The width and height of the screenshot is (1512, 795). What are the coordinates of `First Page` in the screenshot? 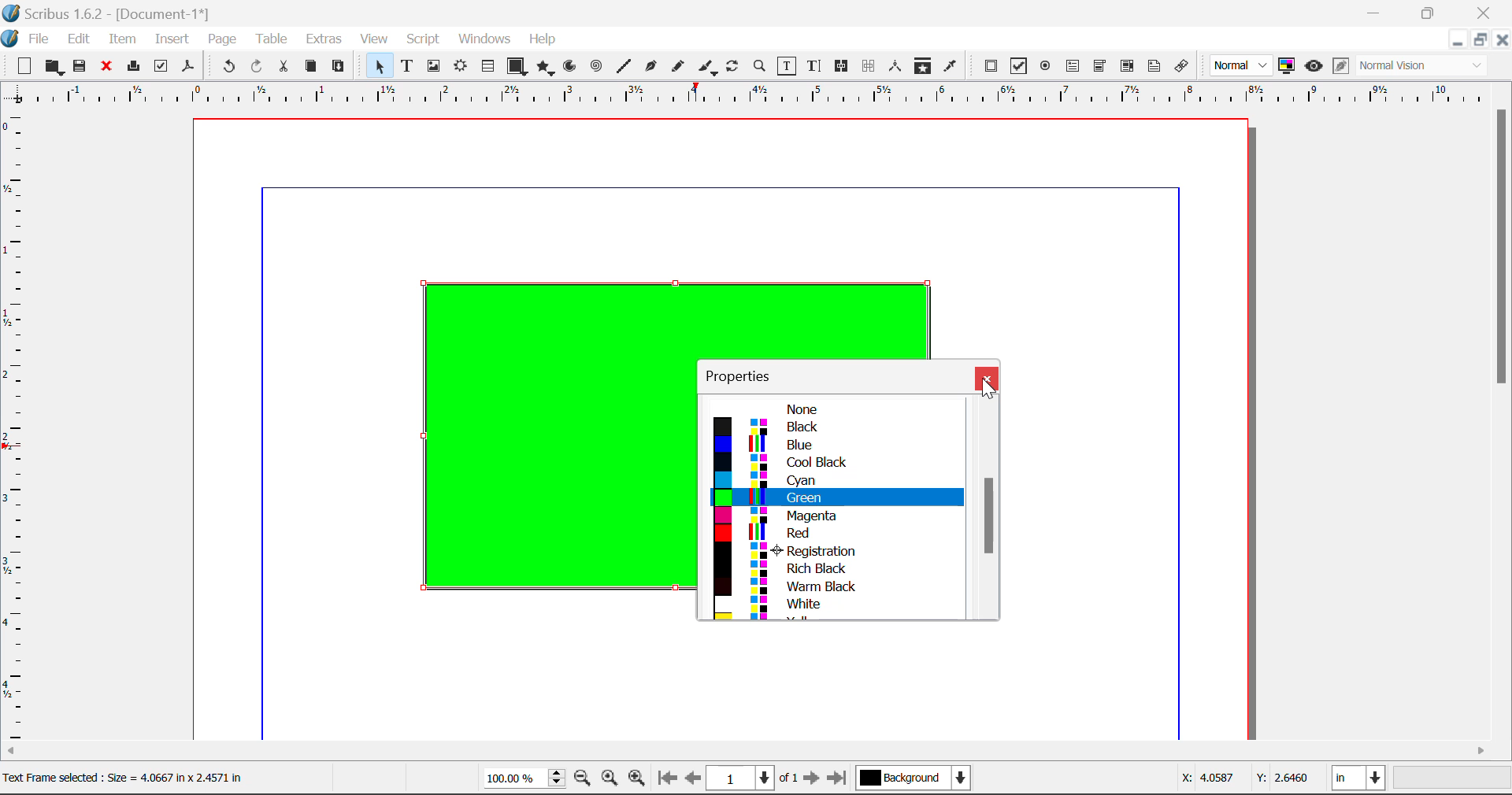 It's located at (667, 780).